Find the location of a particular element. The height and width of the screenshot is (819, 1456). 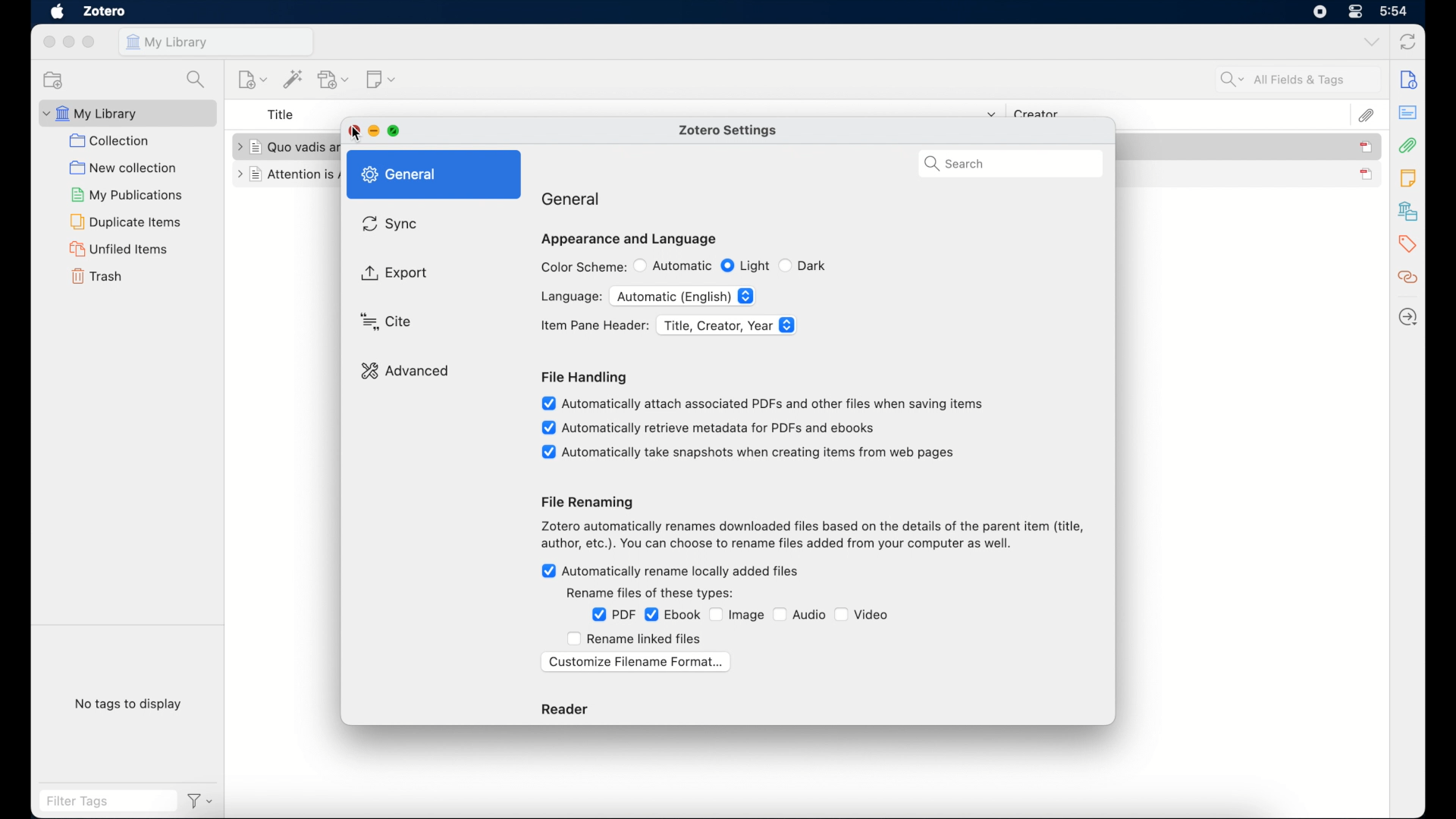

zotero is located at coordinates (105, 11).